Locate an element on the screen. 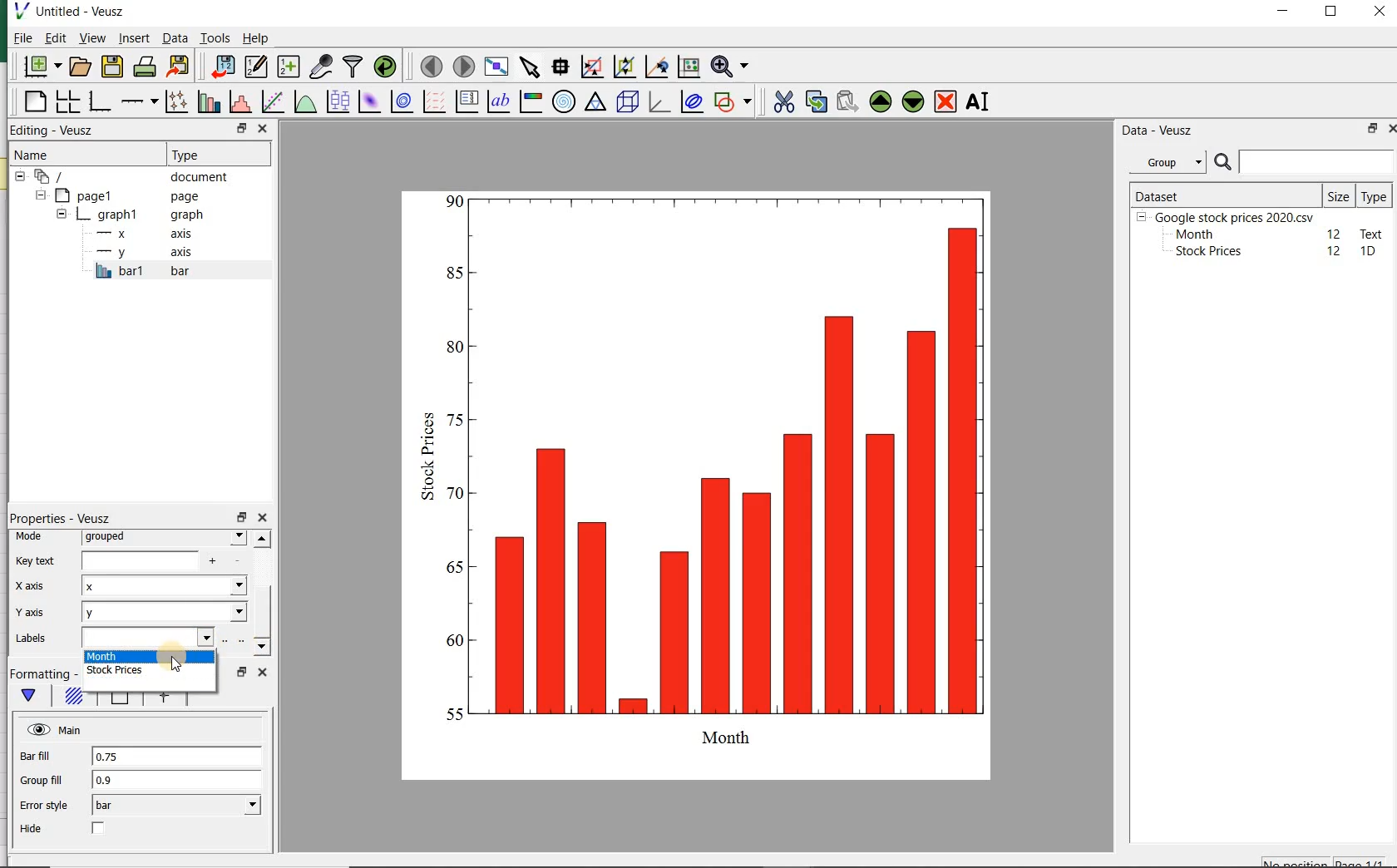  paste widget from the clipboard is located at coordinates (847, 102).